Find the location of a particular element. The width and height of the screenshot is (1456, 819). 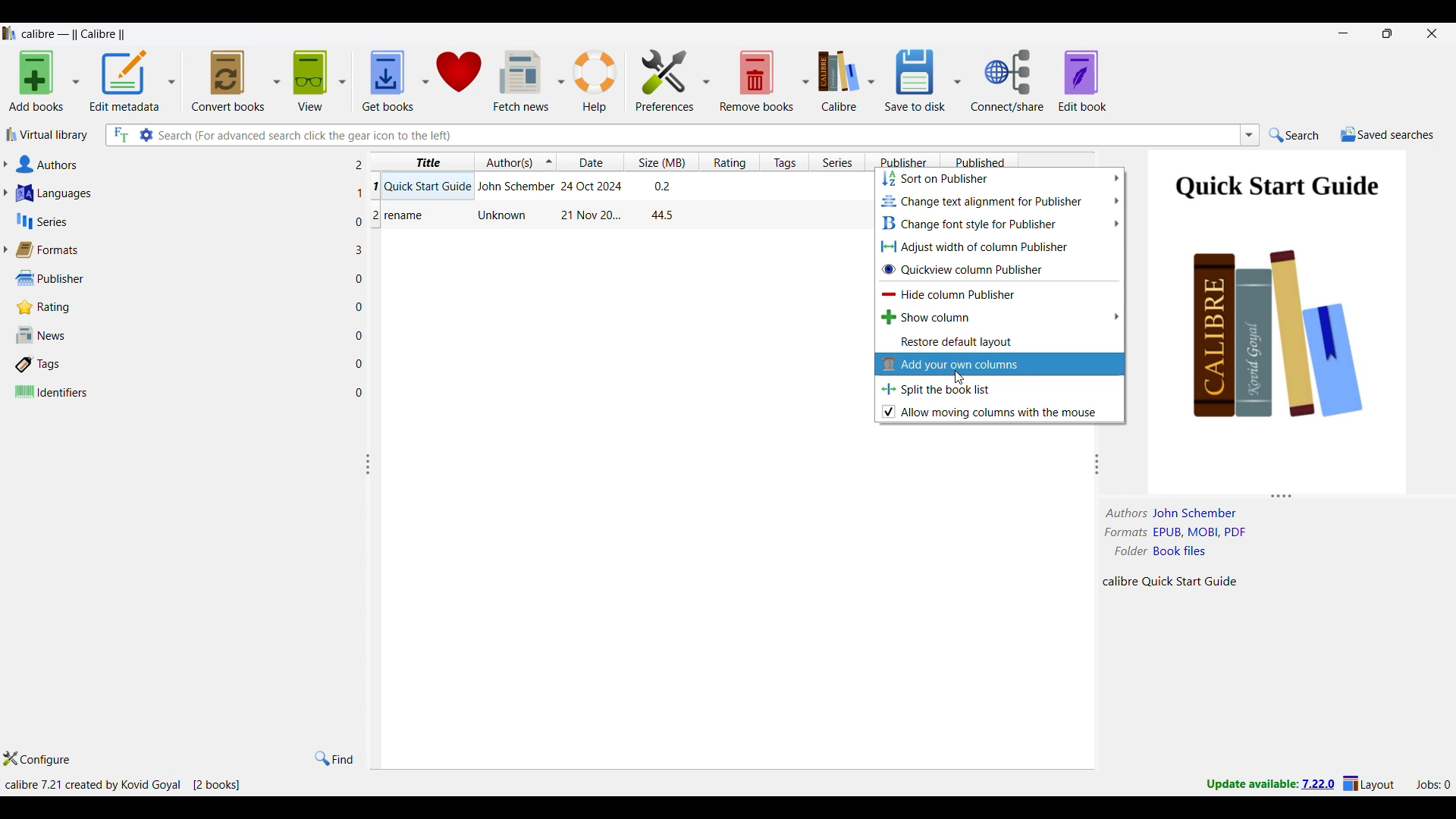

Close interface is located at coordinates (1432, 33).